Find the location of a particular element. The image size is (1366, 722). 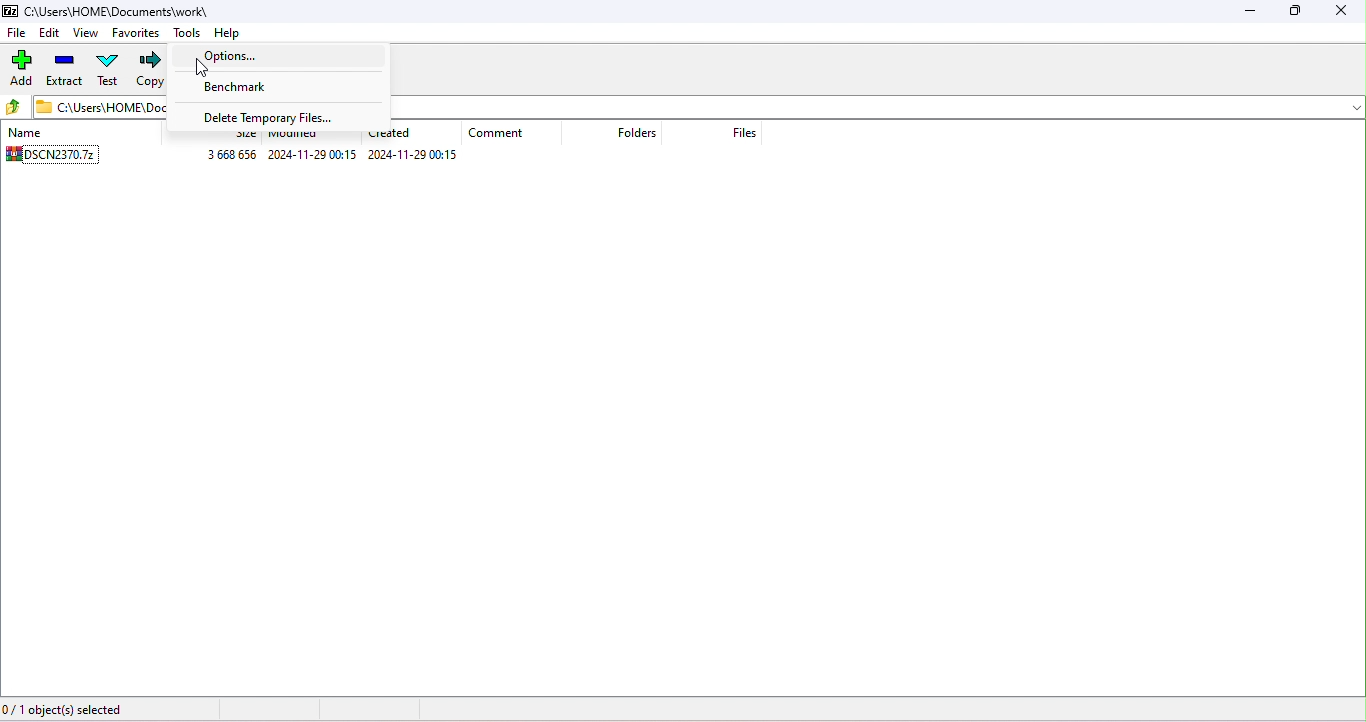

extract is located at coordinates (68, 71).